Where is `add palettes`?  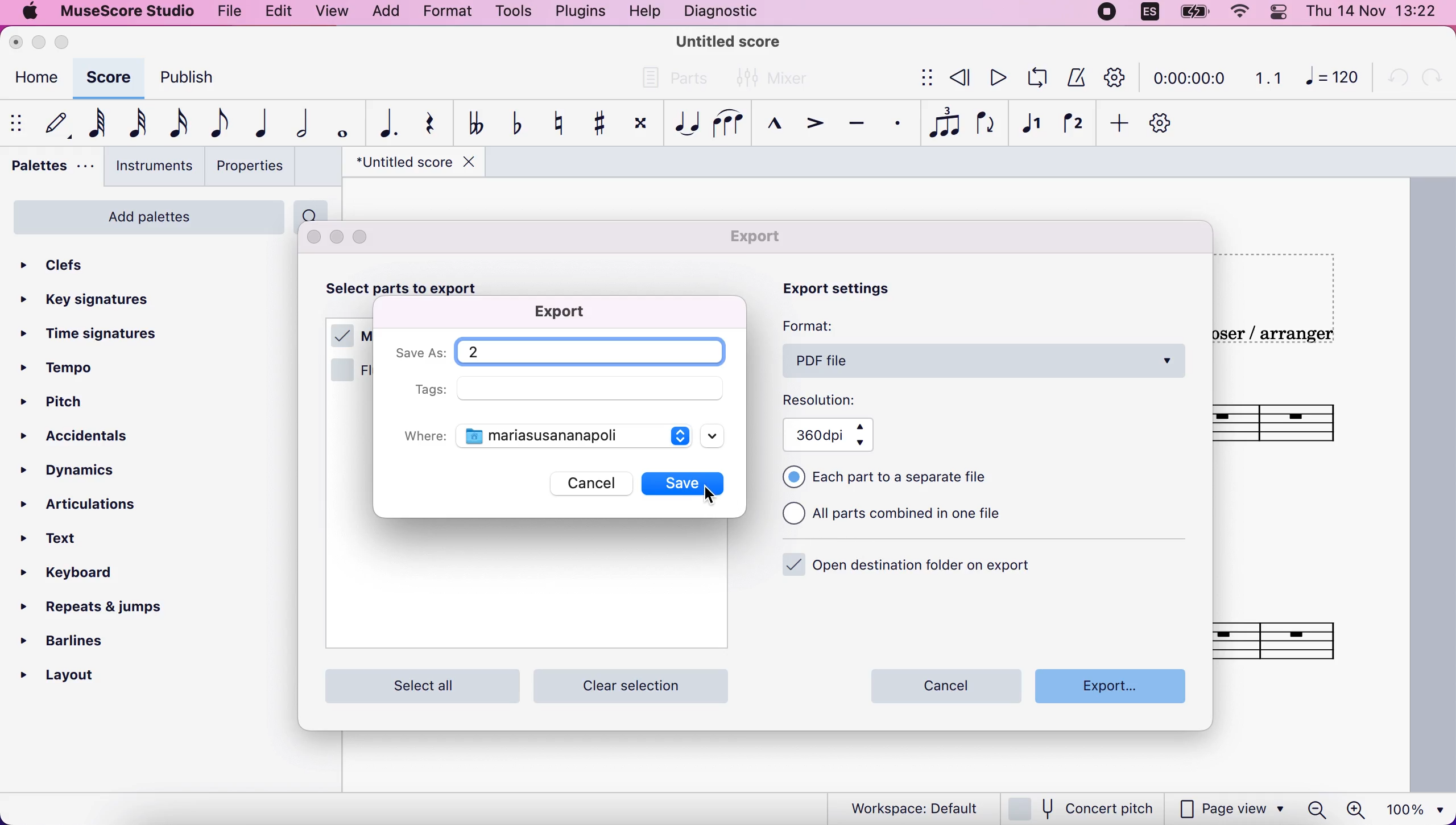
add palettes is located at coordinates (148, 216).